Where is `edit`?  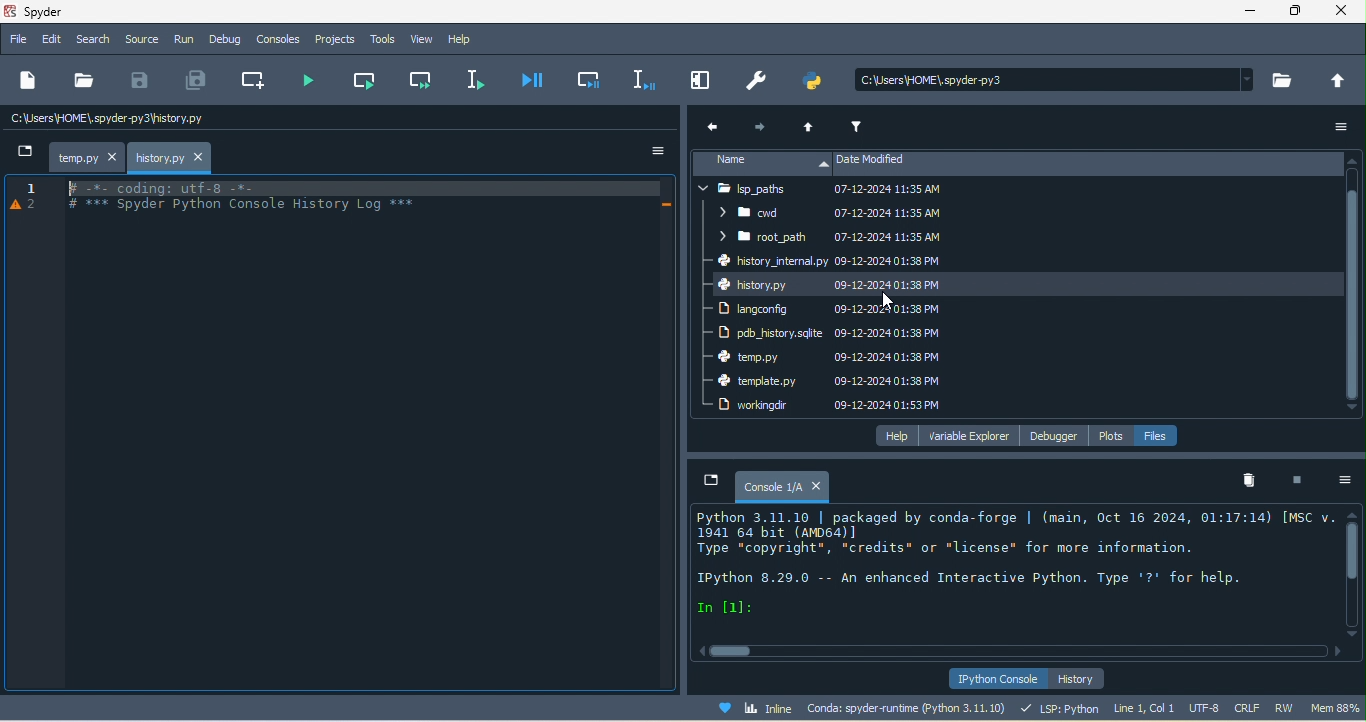 edit is located at coordinates (50, 40).